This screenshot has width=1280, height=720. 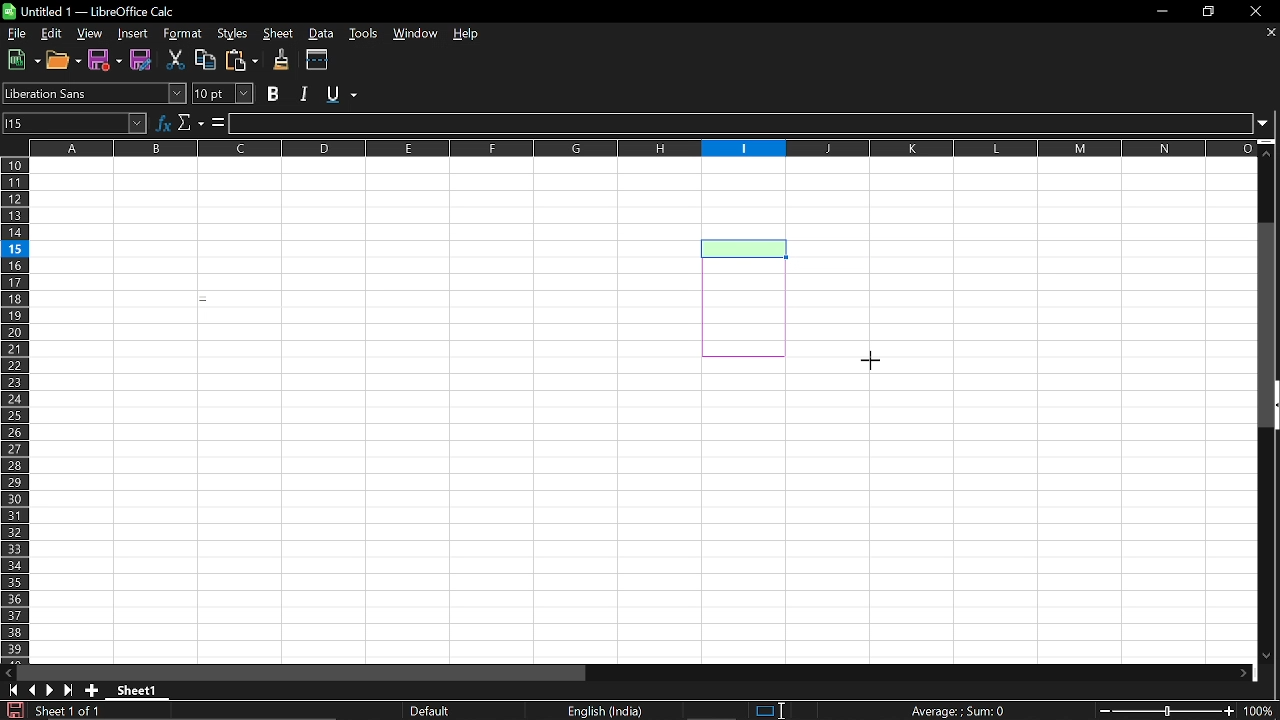 I want to click on Input line, so click(x=742, y=124).